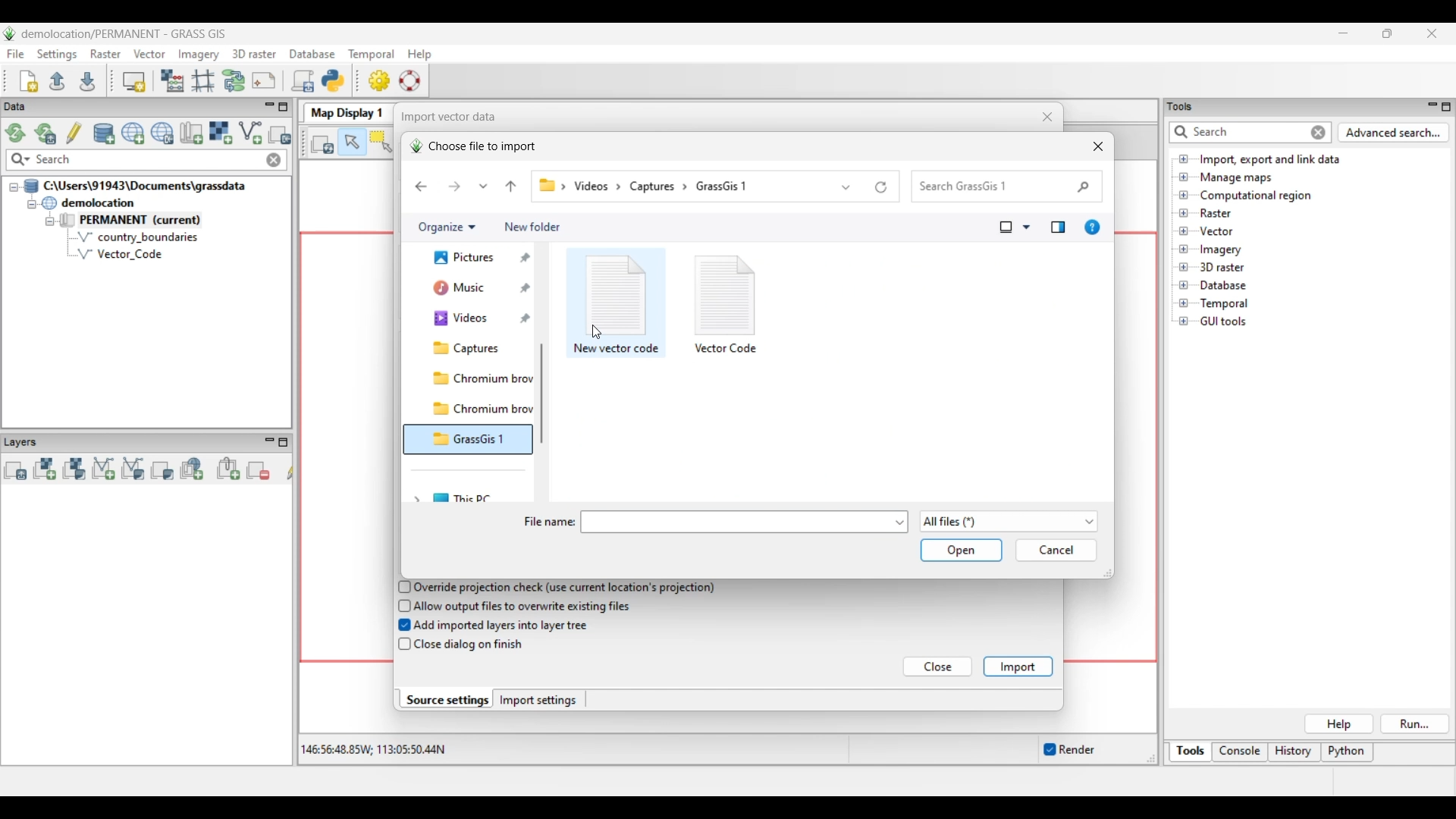 The width and height of the screenshot is (1456, 819). I want to click on Choose file to import, so click(472, 146).